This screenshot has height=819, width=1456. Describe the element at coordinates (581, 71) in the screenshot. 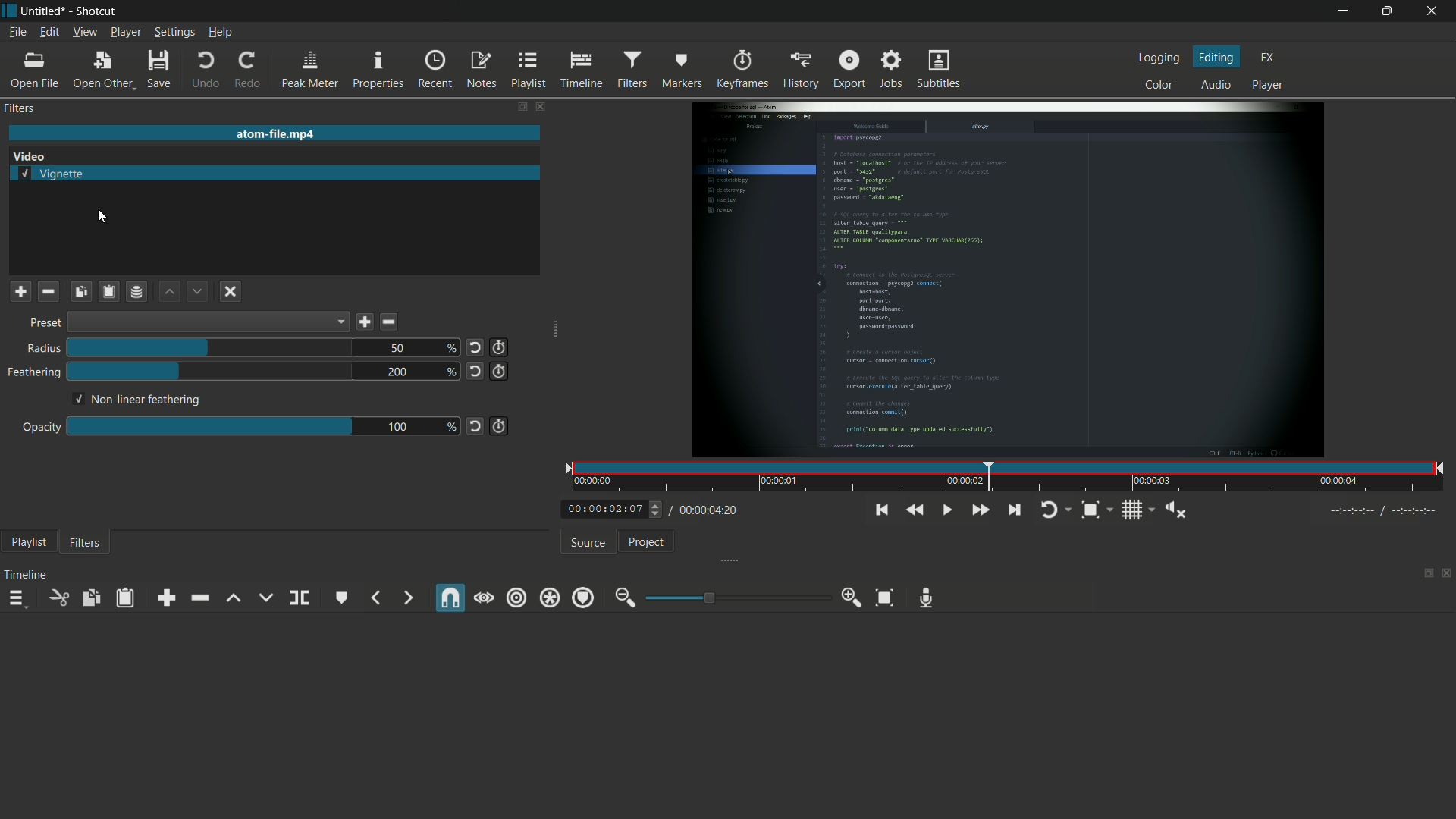

I see `timelines` at that location.